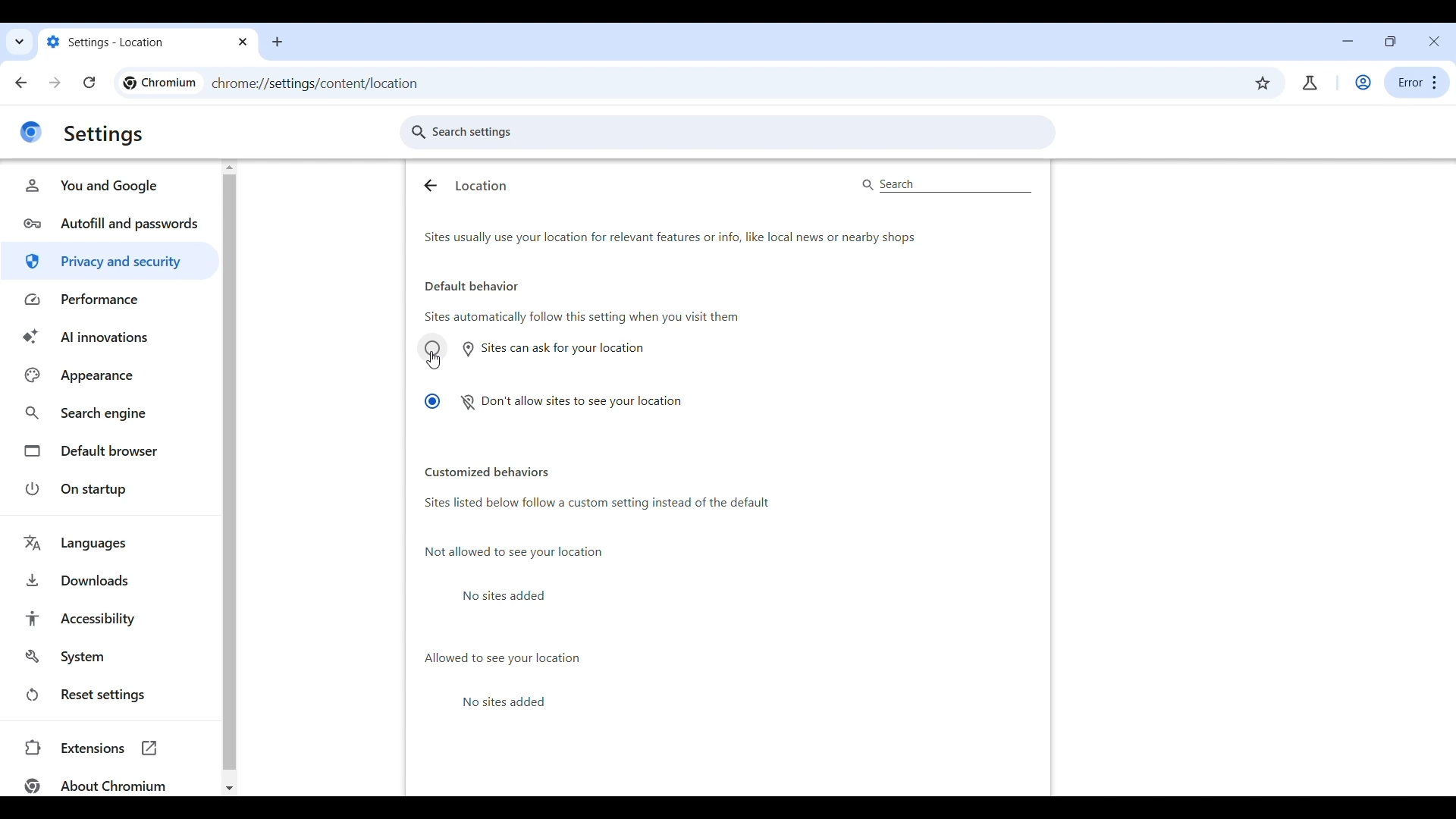  I want to click on Accessibility, so click(108, 618).